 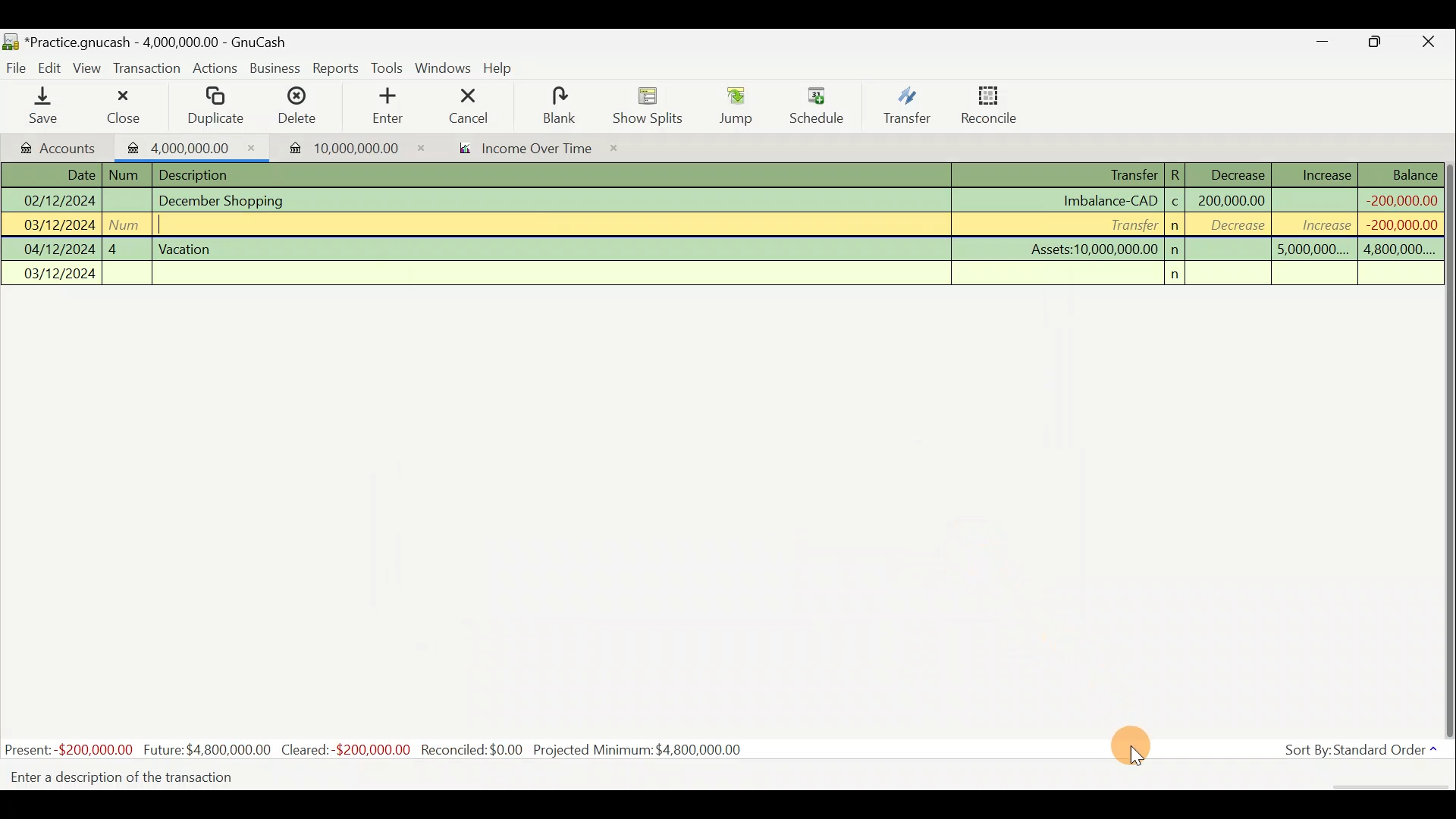 I want to click on Duplicate, so click(x=218, y=106).